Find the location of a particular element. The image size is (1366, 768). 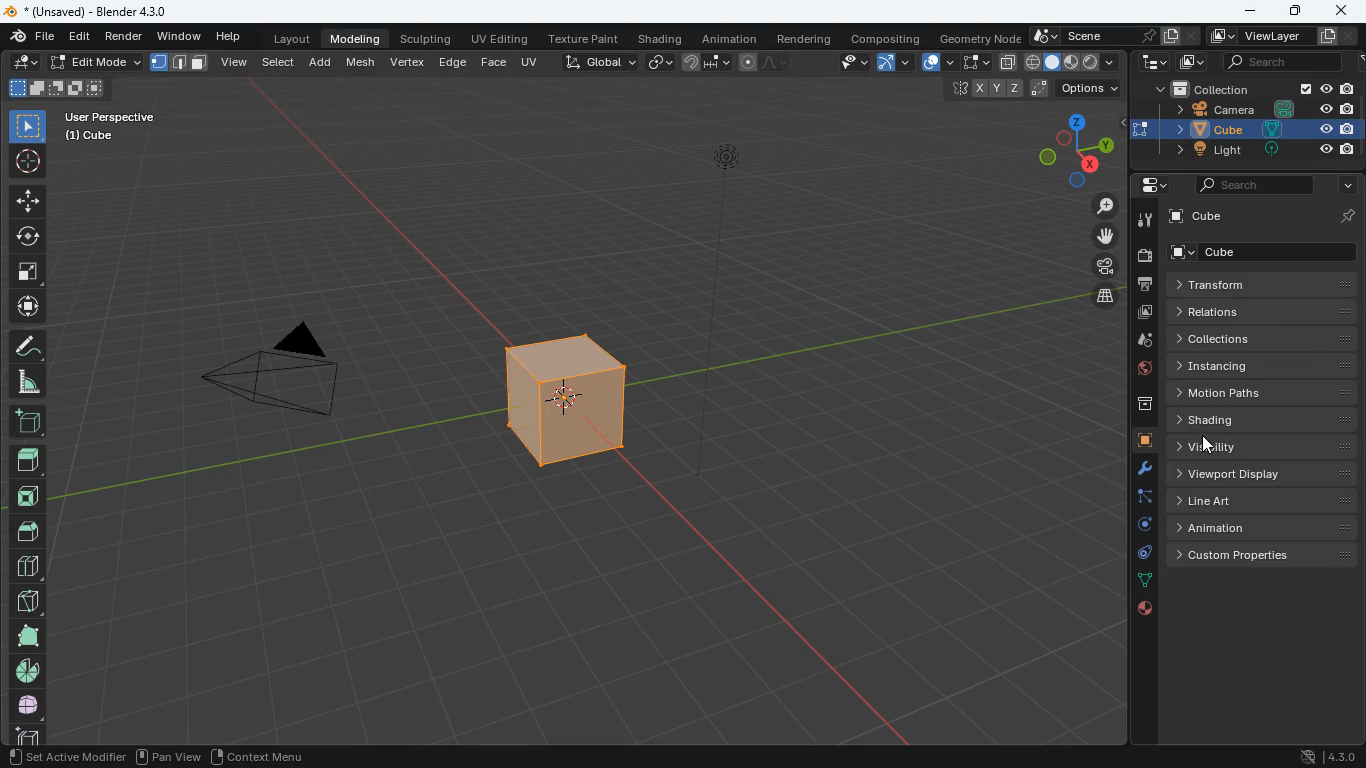

edge is located at coordinates (452, 64).